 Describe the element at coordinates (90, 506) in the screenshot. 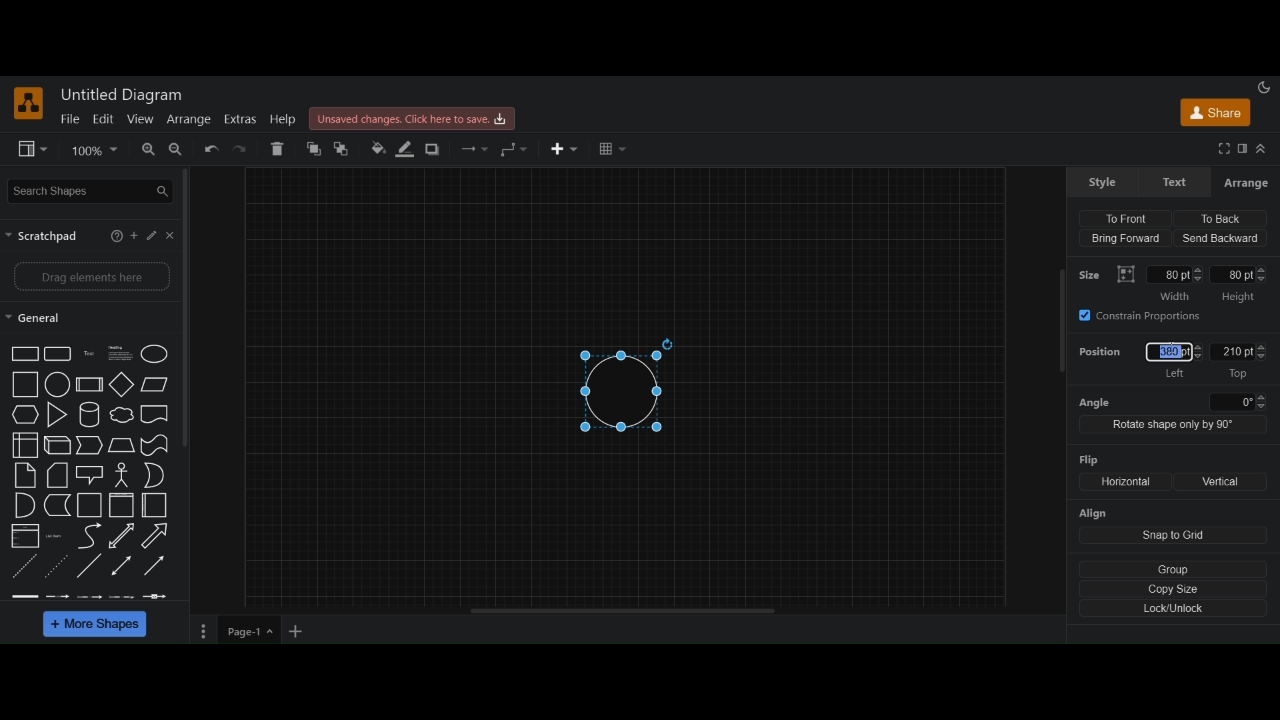

I see `Square` at that location.